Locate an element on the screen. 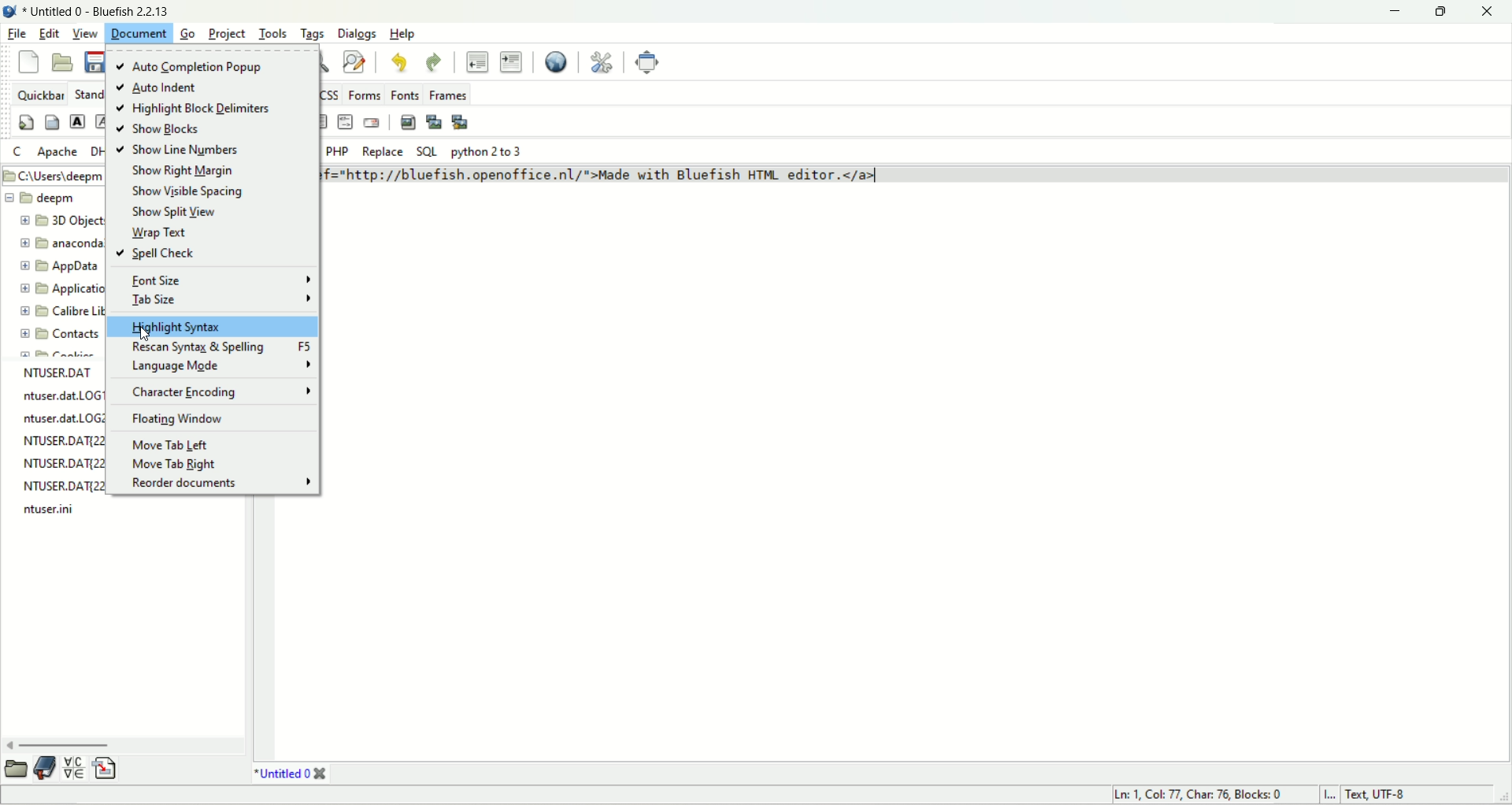 This screenshot has height=805, width=1512. email is located at coordinates (372, 123).